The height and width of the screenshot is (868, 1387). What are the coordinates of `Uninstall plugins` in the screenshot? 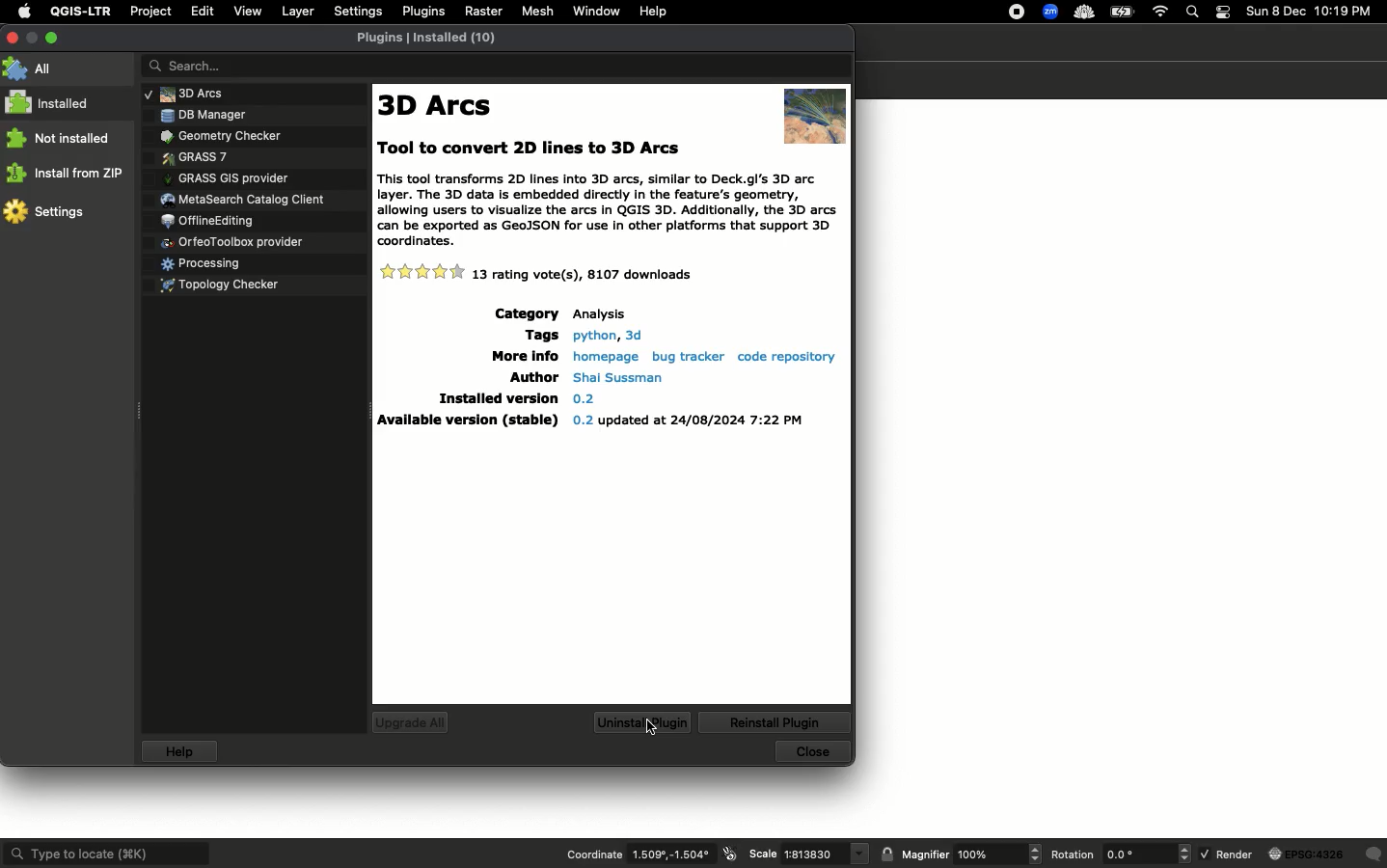 It's located at (641, 722).